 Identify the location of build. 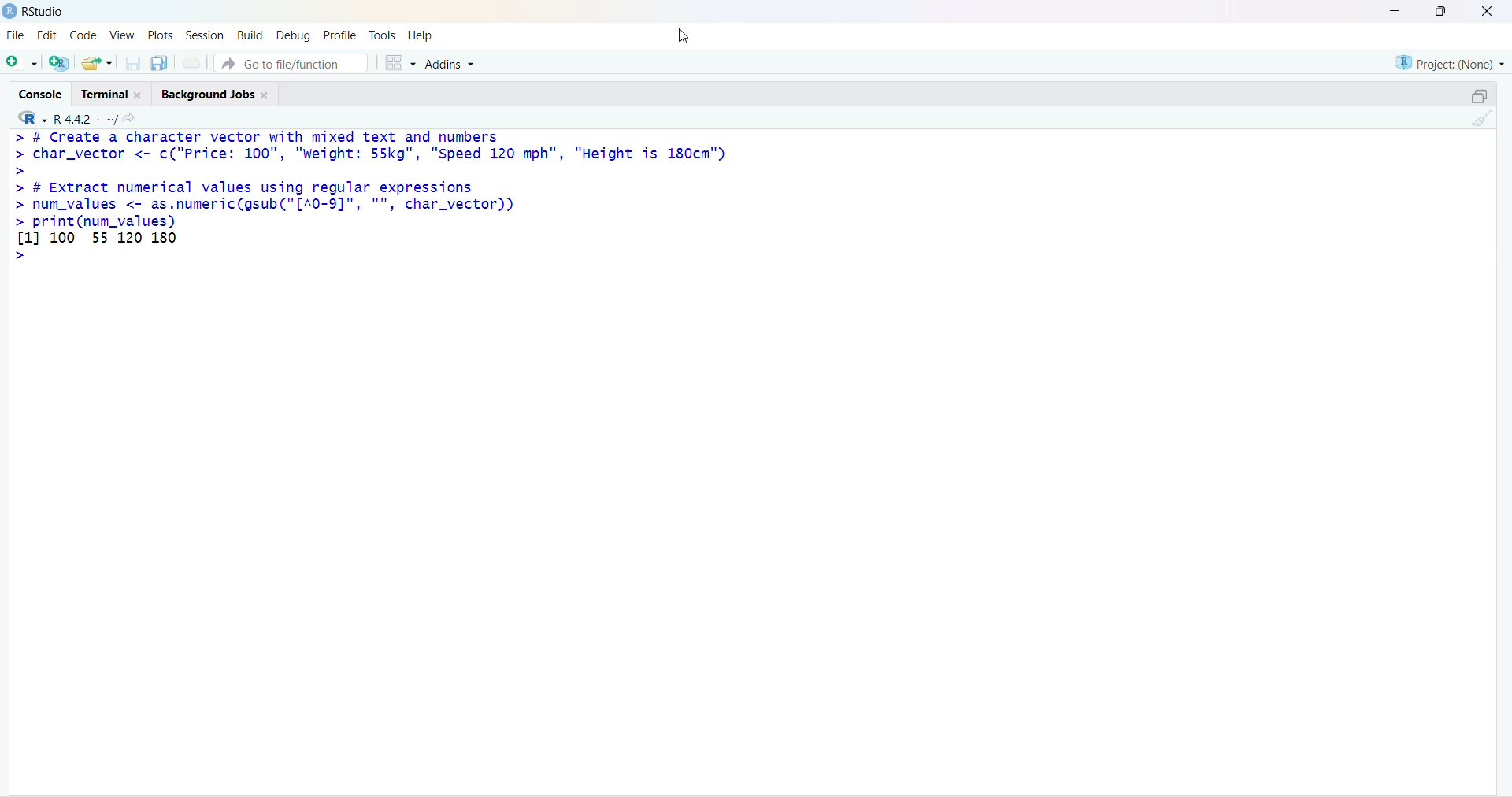
(252, 36).